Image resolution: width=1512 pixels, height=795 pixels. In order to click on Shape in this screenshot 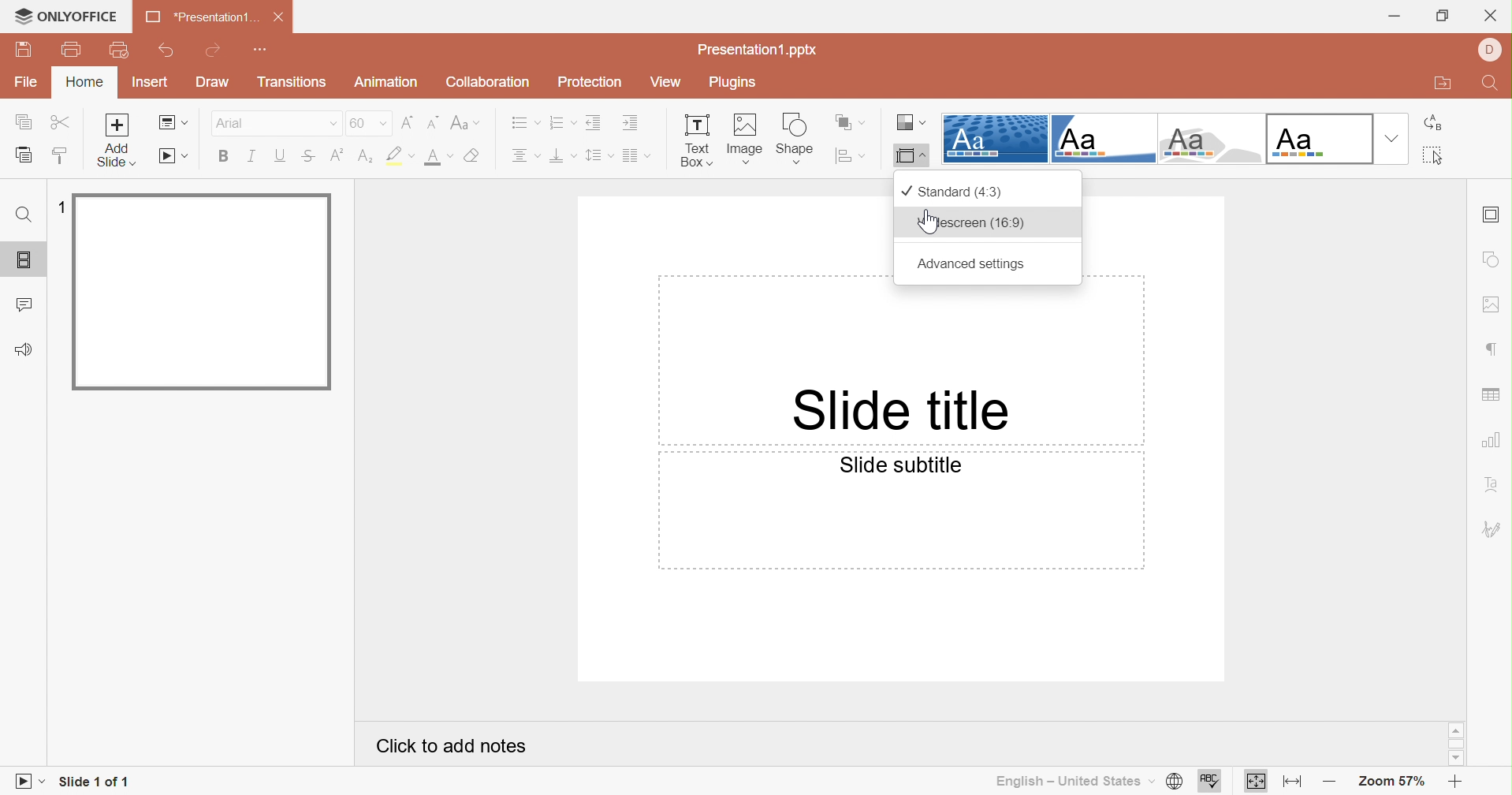, I will do `click(793, 138)`.